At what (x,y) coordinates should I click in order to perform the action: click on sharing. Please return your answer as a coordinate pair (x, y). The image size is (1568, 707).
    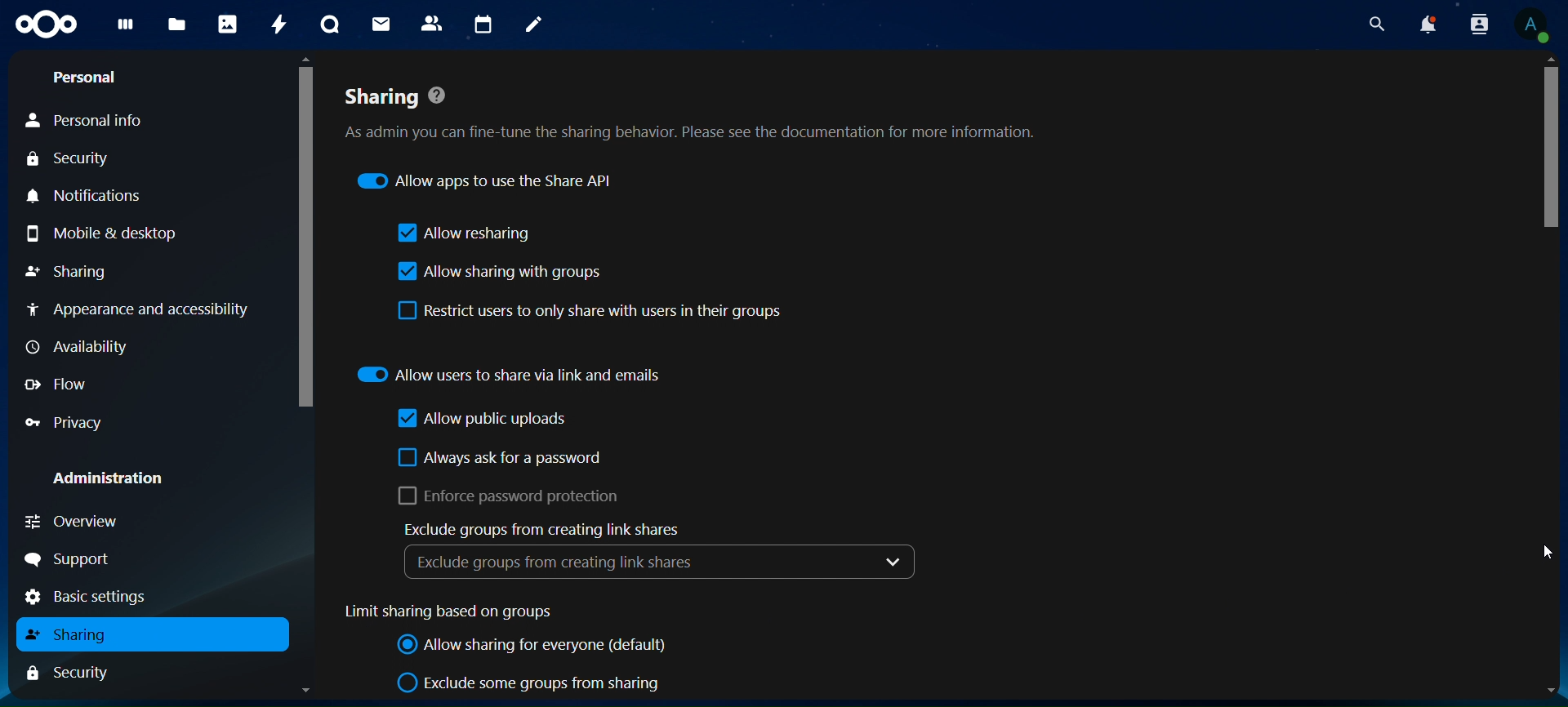
    Looking at the image, I should click on (74, 634).